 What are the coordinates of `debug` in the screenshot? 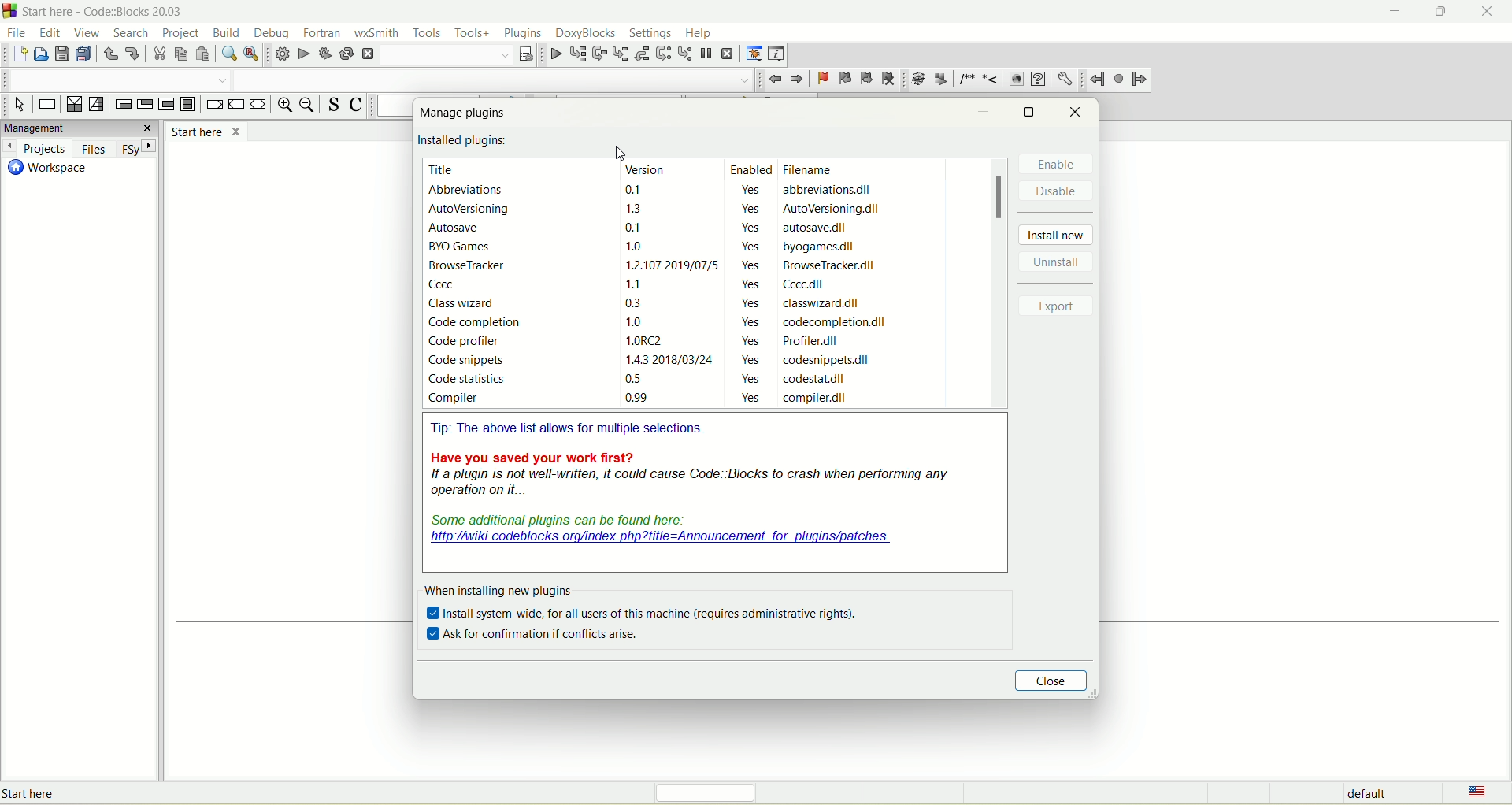 It's located at (554, 55).